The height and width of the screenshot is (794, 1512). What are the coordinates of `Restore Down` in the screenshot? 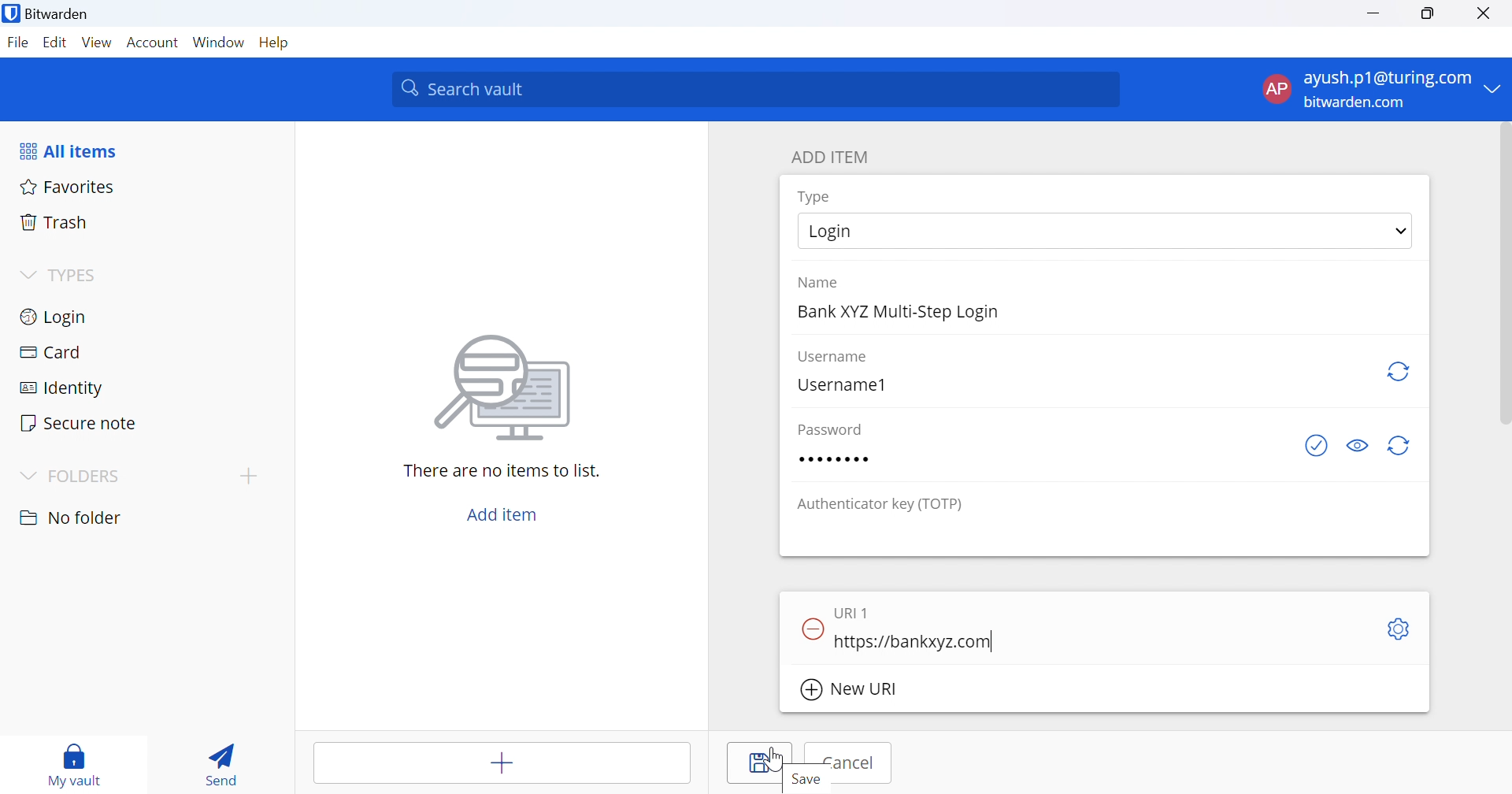 It's located at (1429, 14).